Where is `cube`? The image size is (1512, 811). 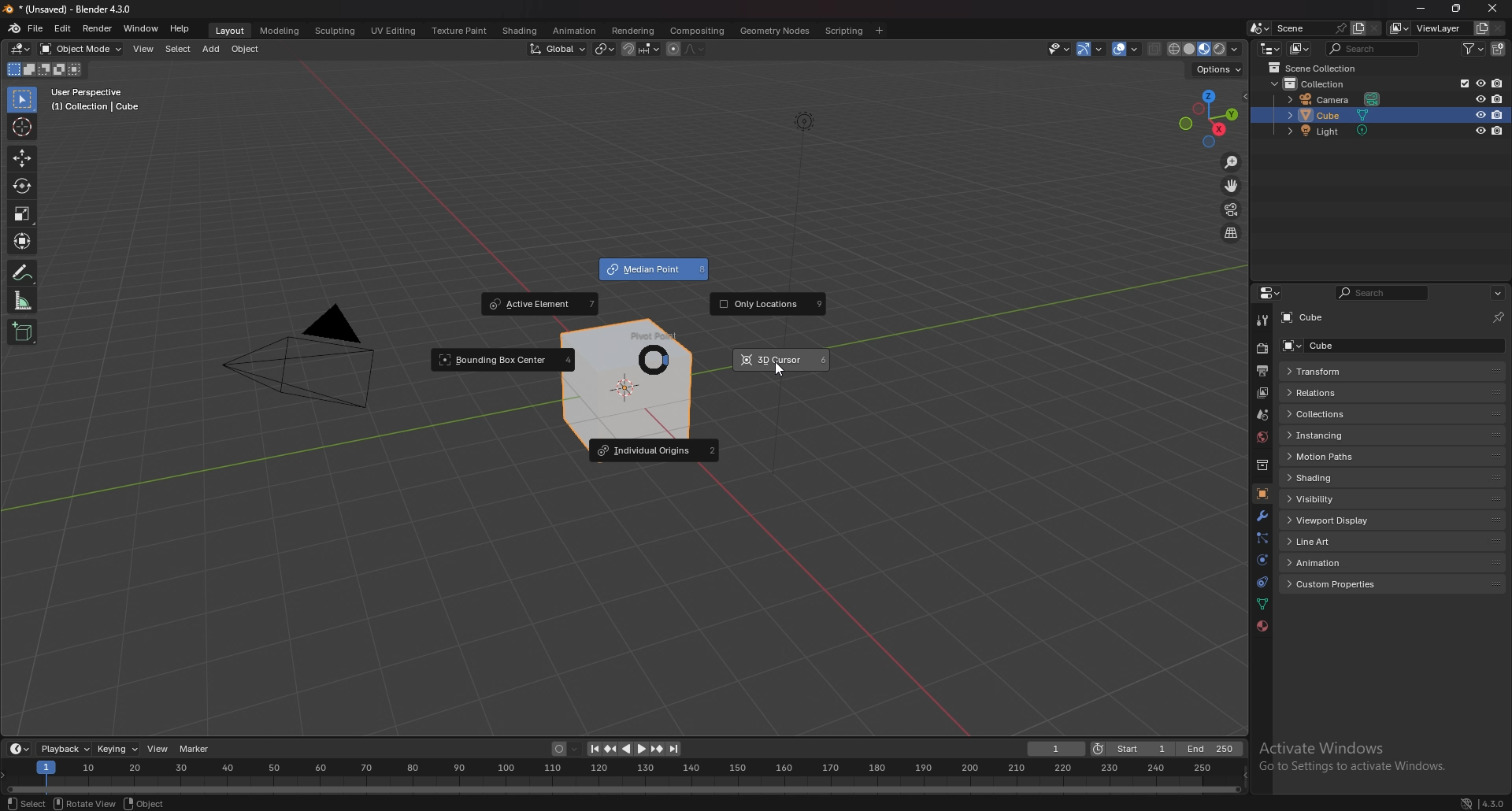
cube is located at coordinates (1358, 346).